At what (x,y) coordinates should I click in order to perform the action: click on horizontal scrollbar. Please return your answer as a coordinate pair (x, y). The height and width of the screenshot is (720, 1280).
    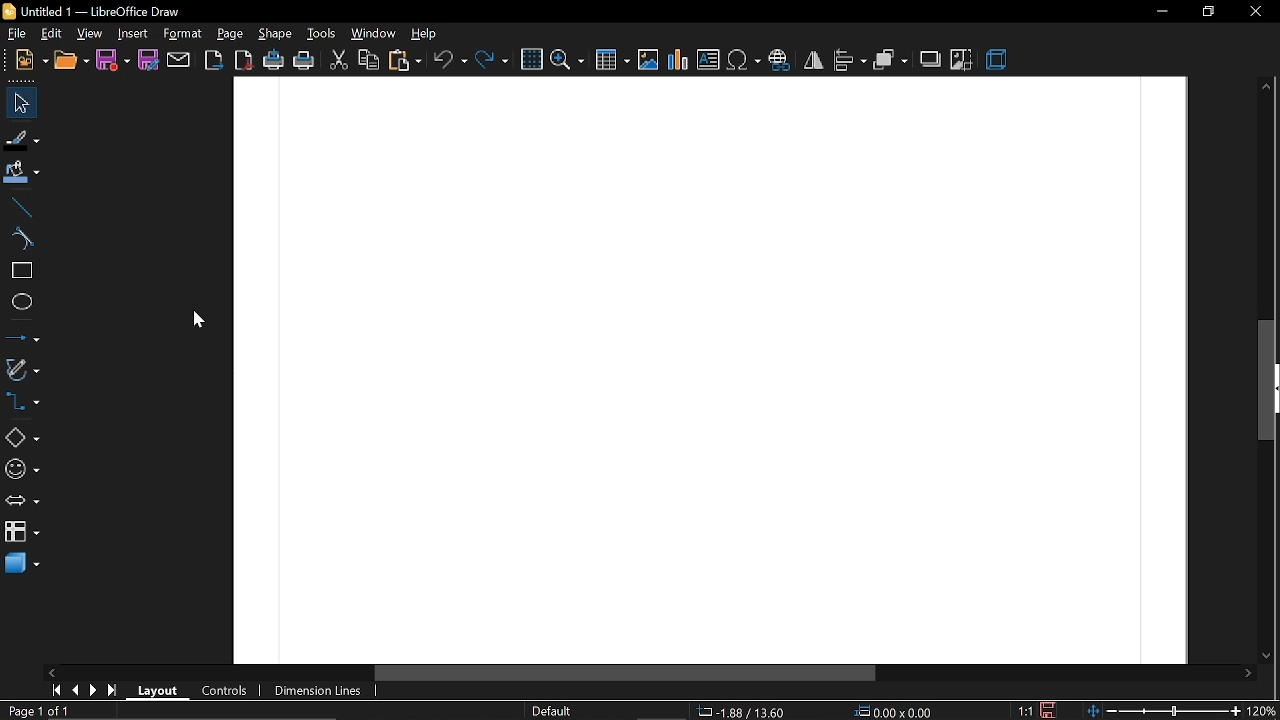
    Looking at the image, I should click on (630, 673).